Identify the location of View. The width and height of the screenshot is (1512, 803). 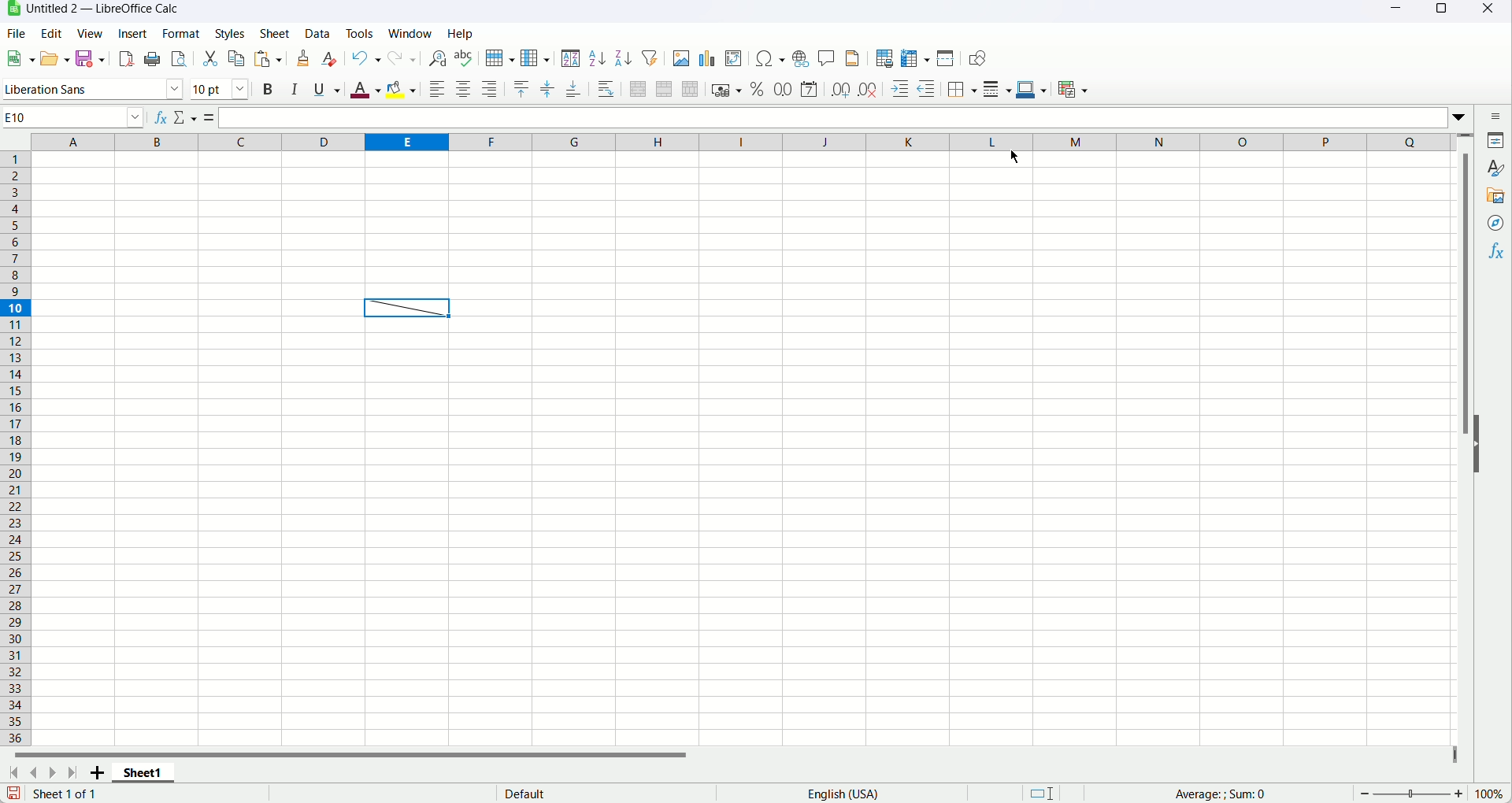
(89, 33).